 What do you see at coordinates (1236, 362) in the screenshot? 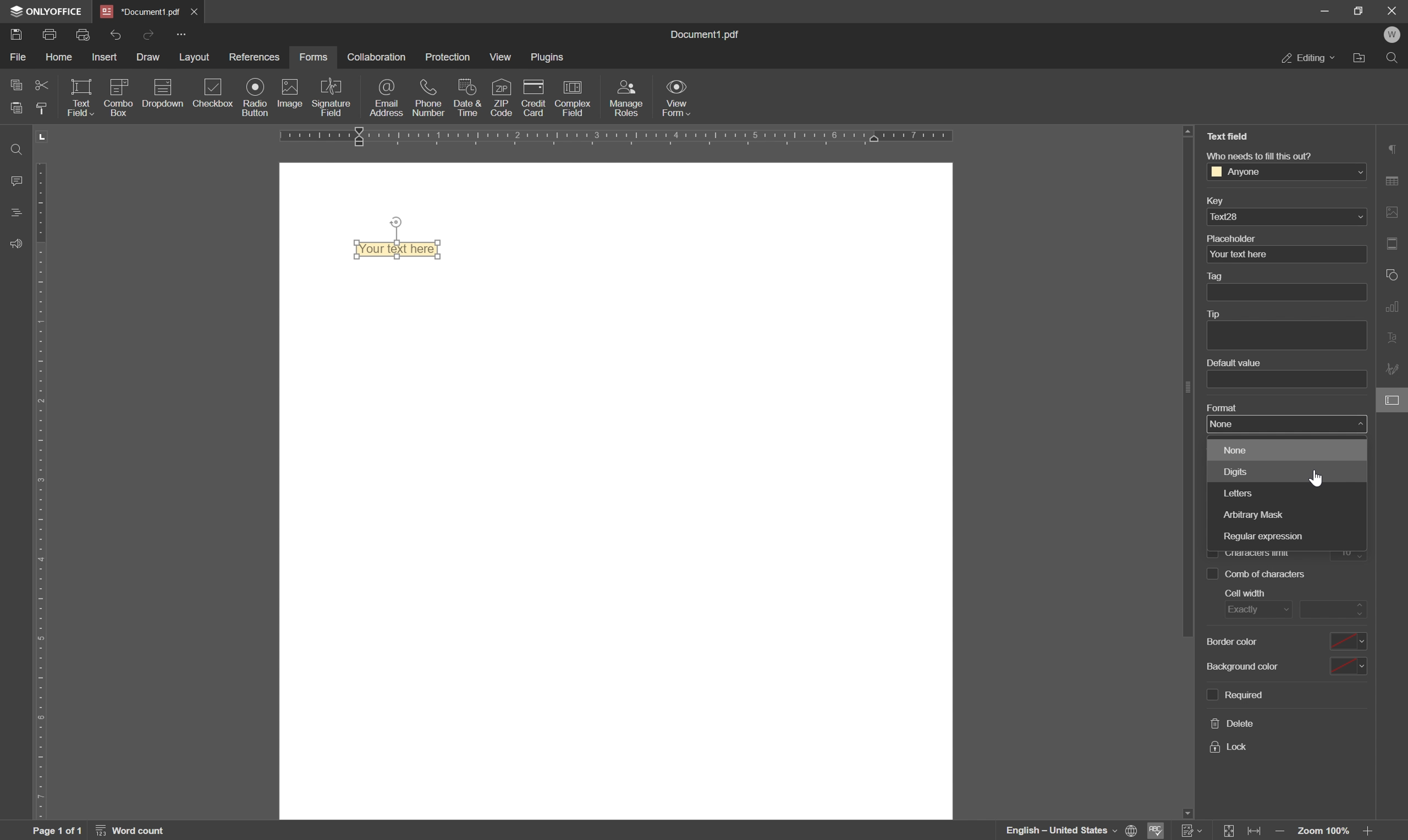
I see `default value` at bounding box center [1236, 362].